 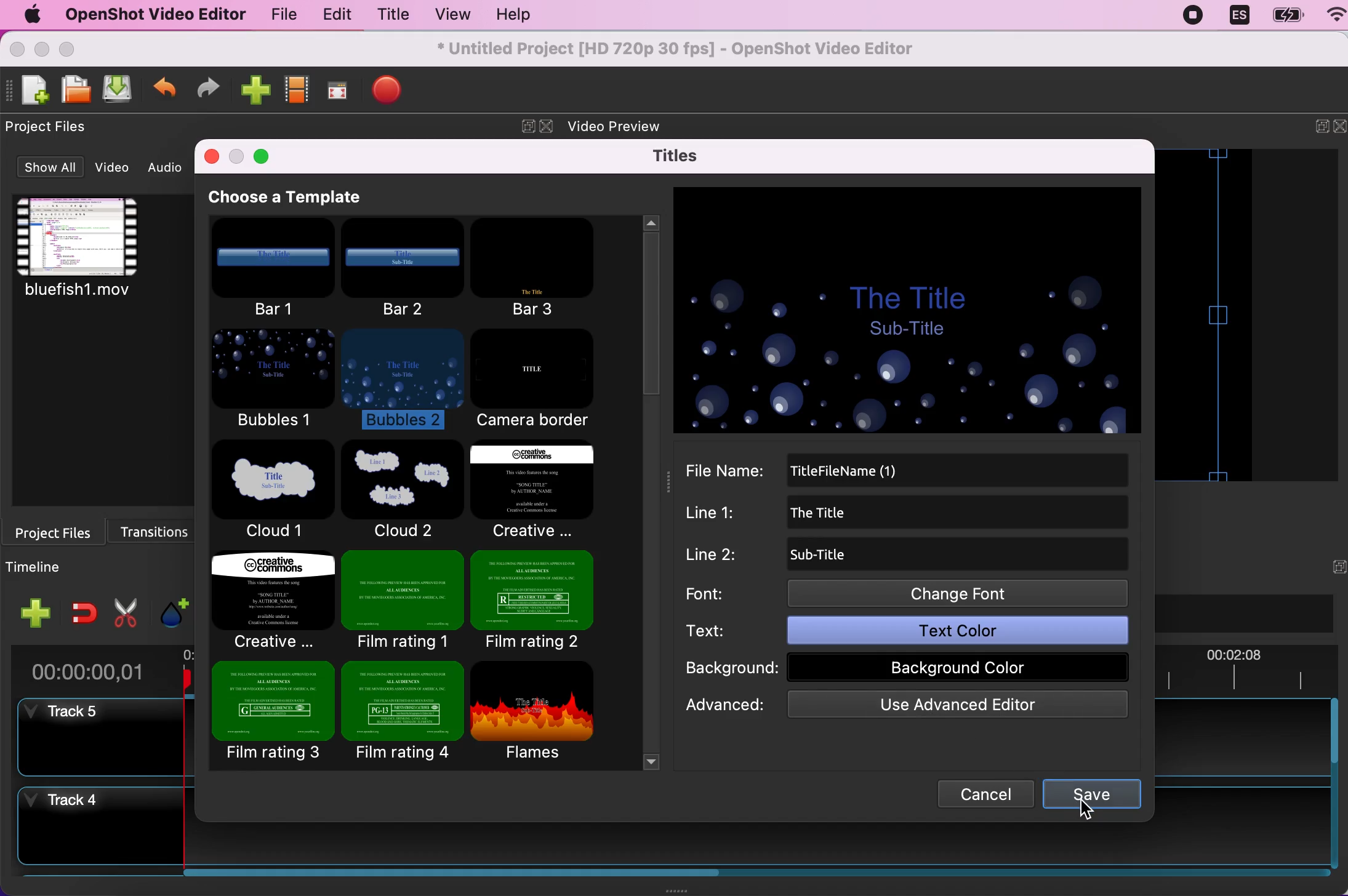 I want to click on track 5, so click(x=93, y=736).